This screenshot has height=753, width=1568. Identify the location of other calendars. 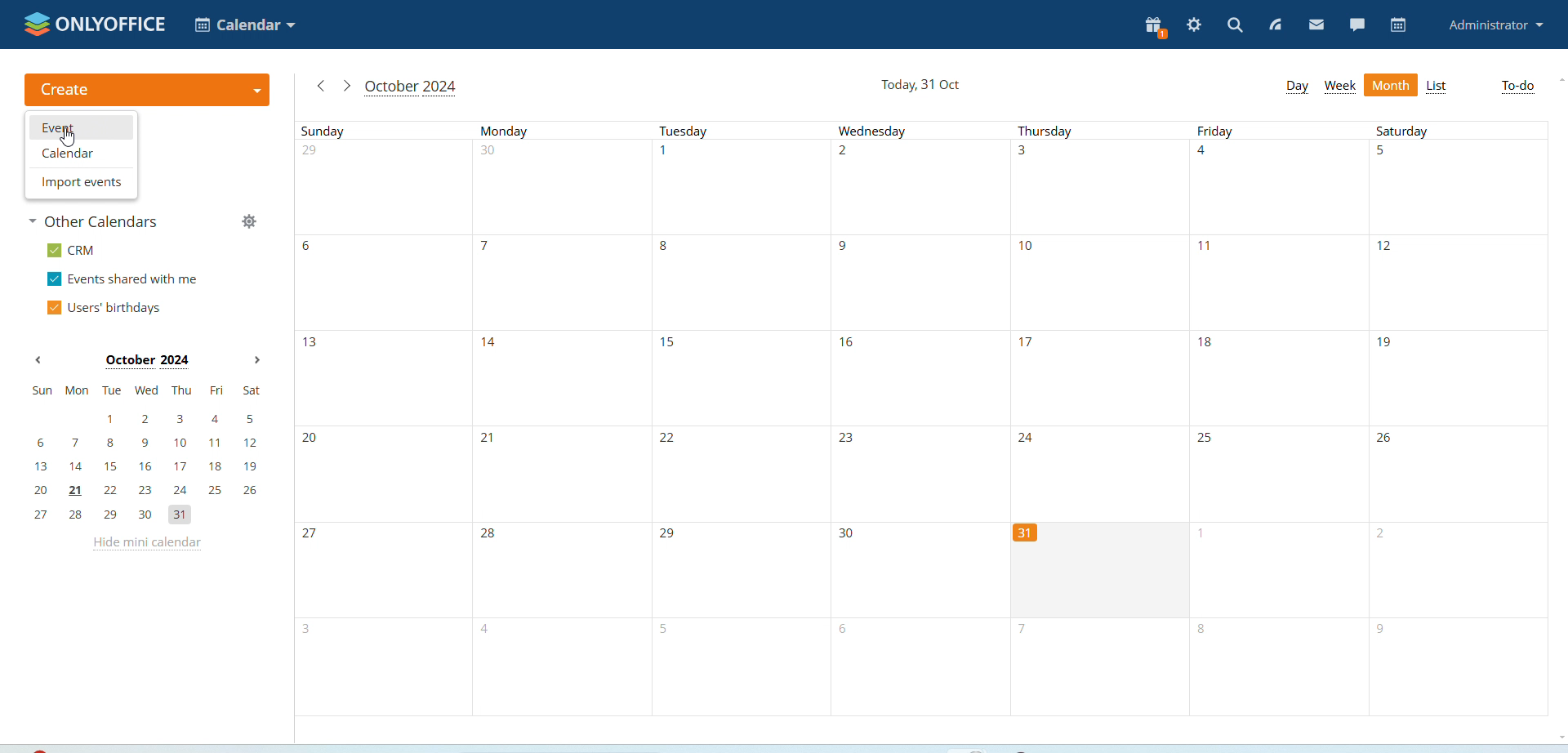
(98, 221).